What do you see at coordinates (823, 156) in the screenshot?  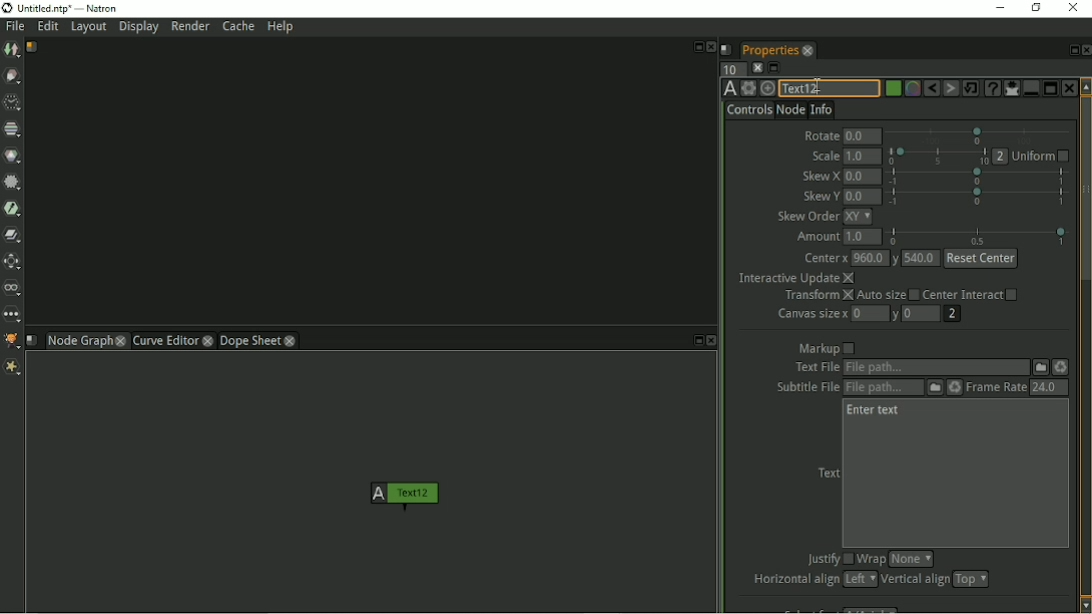 I see `Scale` at bounding box center [823, 156].